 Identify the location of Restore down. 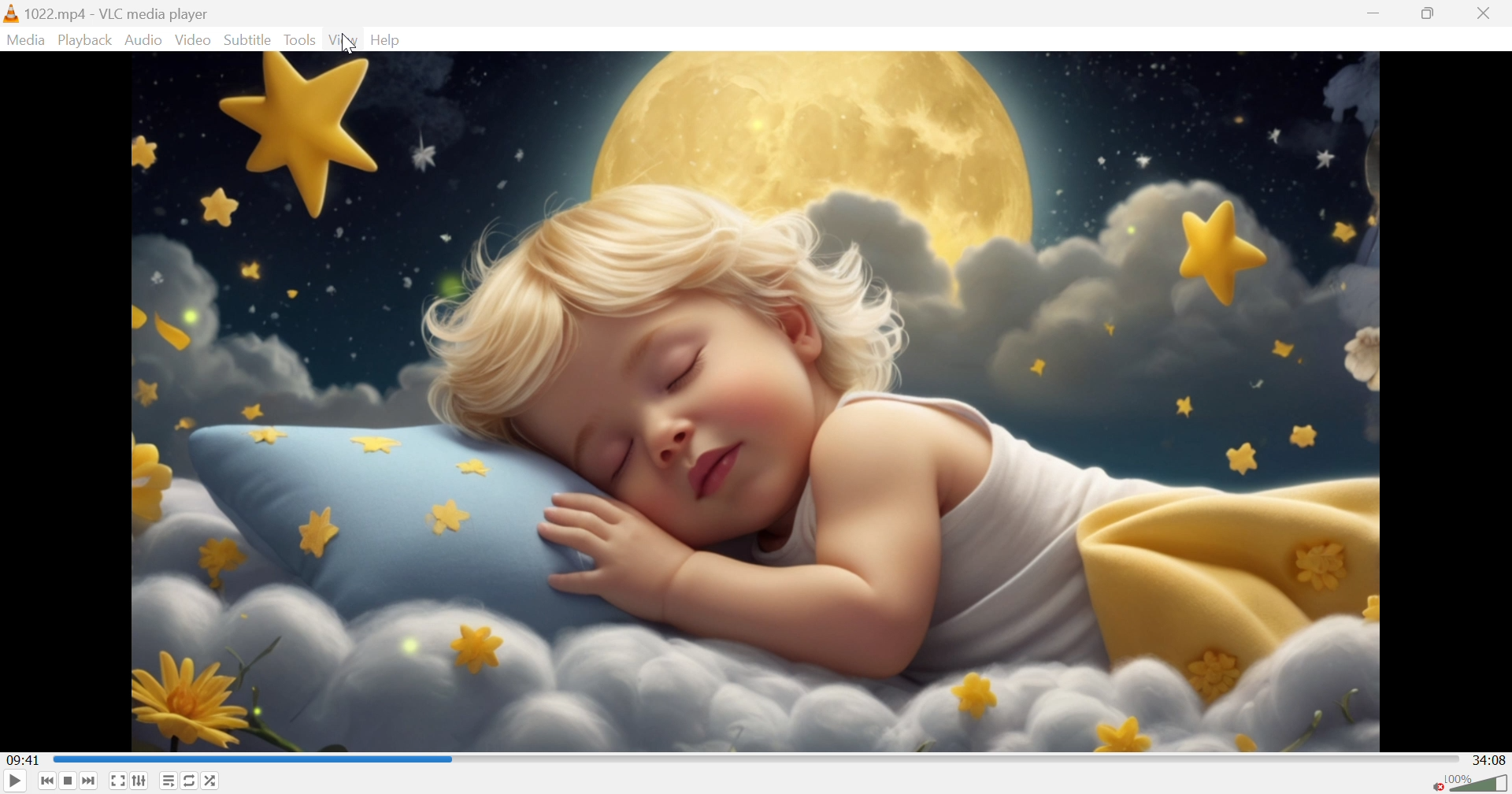
(1430, 13).